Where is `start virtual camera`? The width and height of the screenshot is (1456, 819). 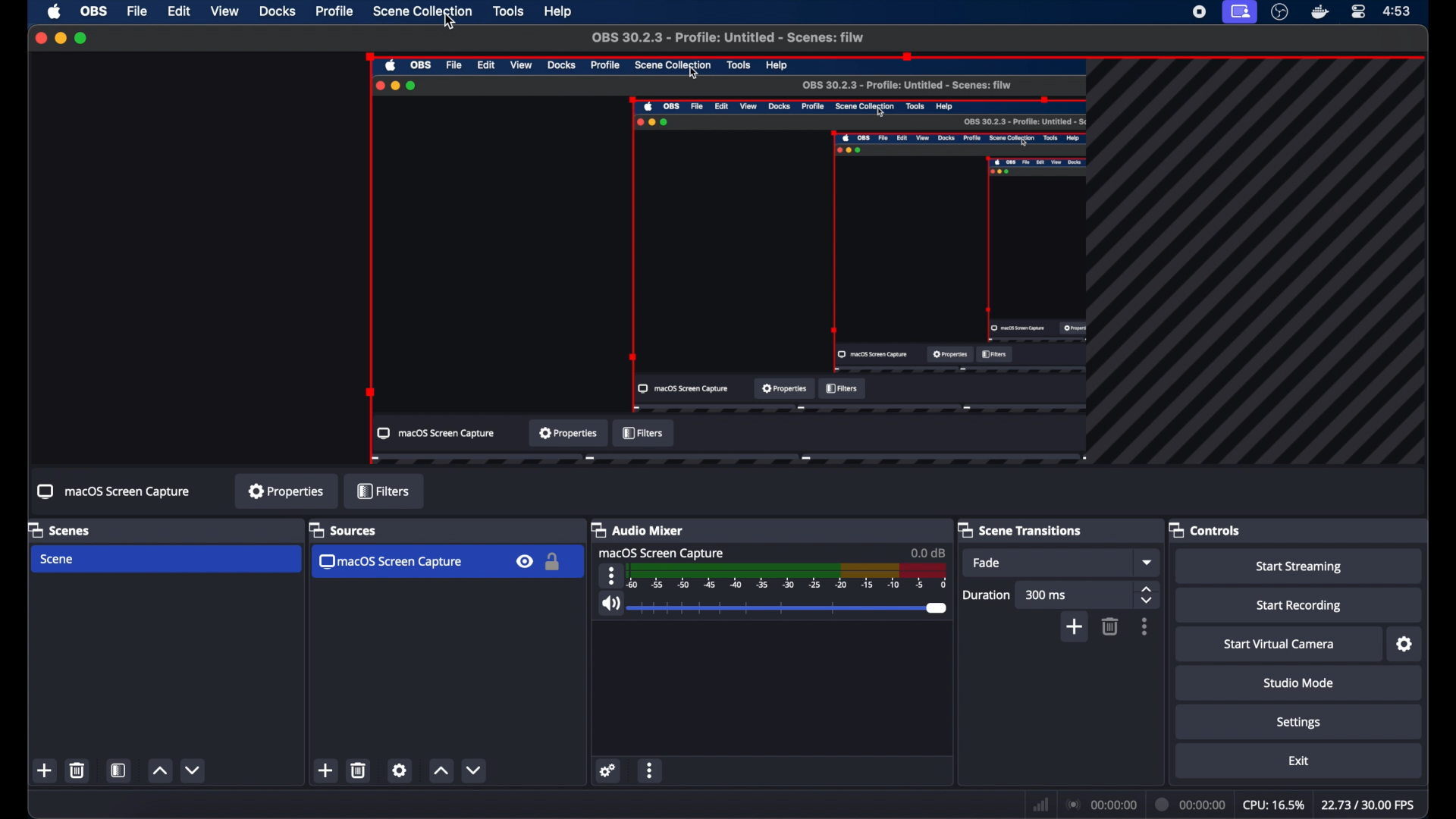 start virtual camera is located at coordinates (1281, 642).